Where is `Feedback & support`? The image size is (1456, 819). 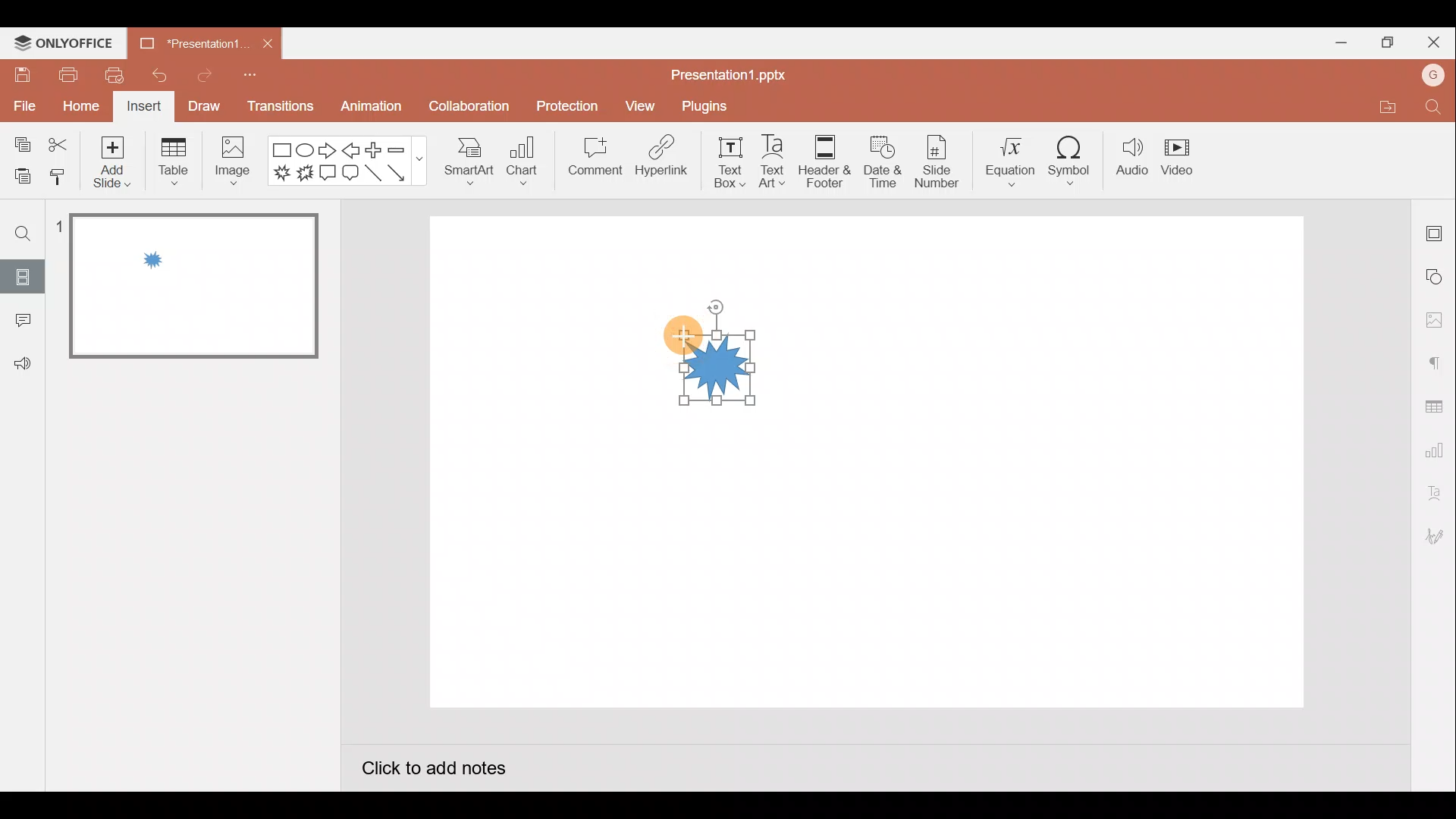
Feedback & support is located at coordinates (22, 365).